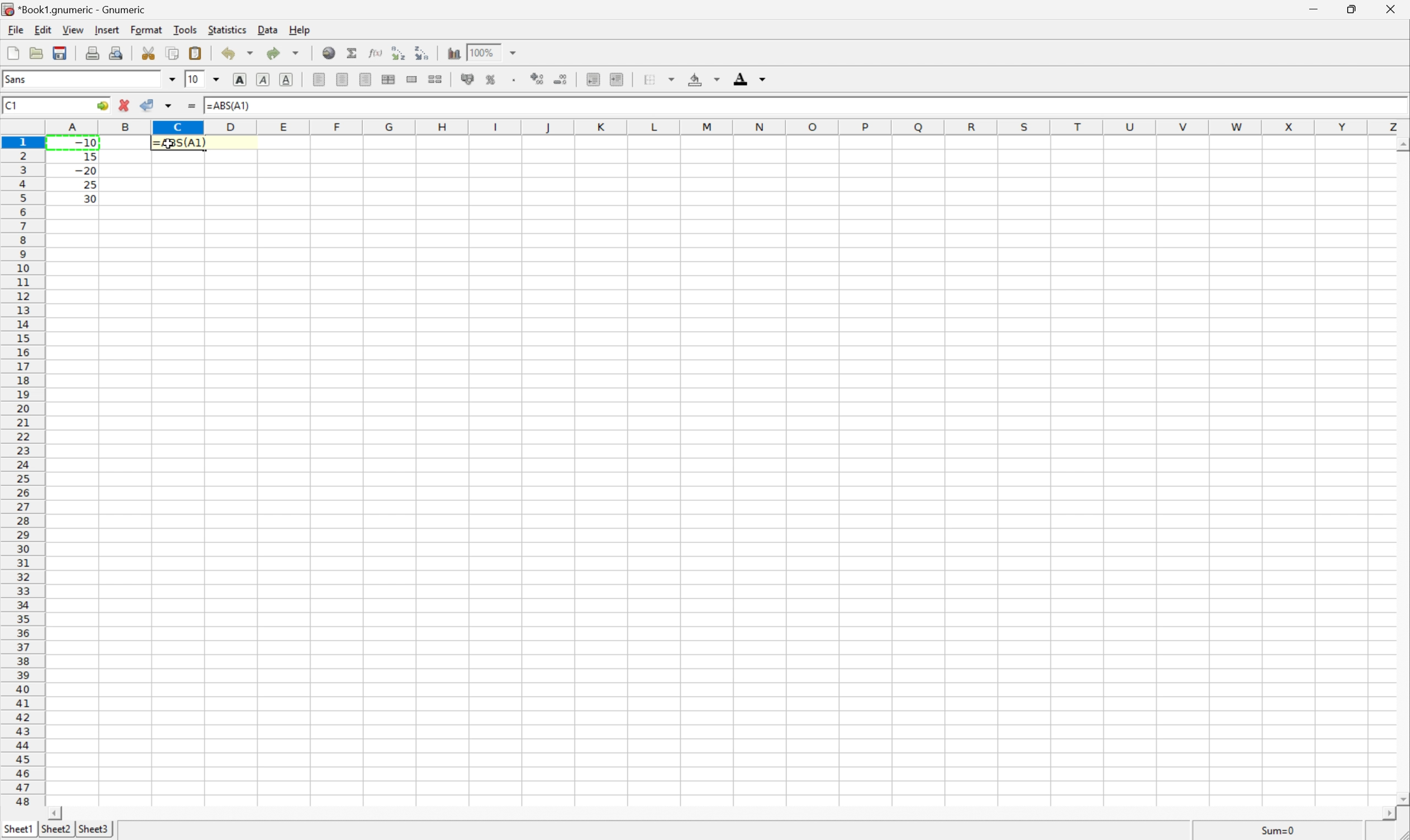 This screenshot has width=1410, height=840. Describe the element at coordinates (647, 79) in the screenshot. I see `Borders` at that location.